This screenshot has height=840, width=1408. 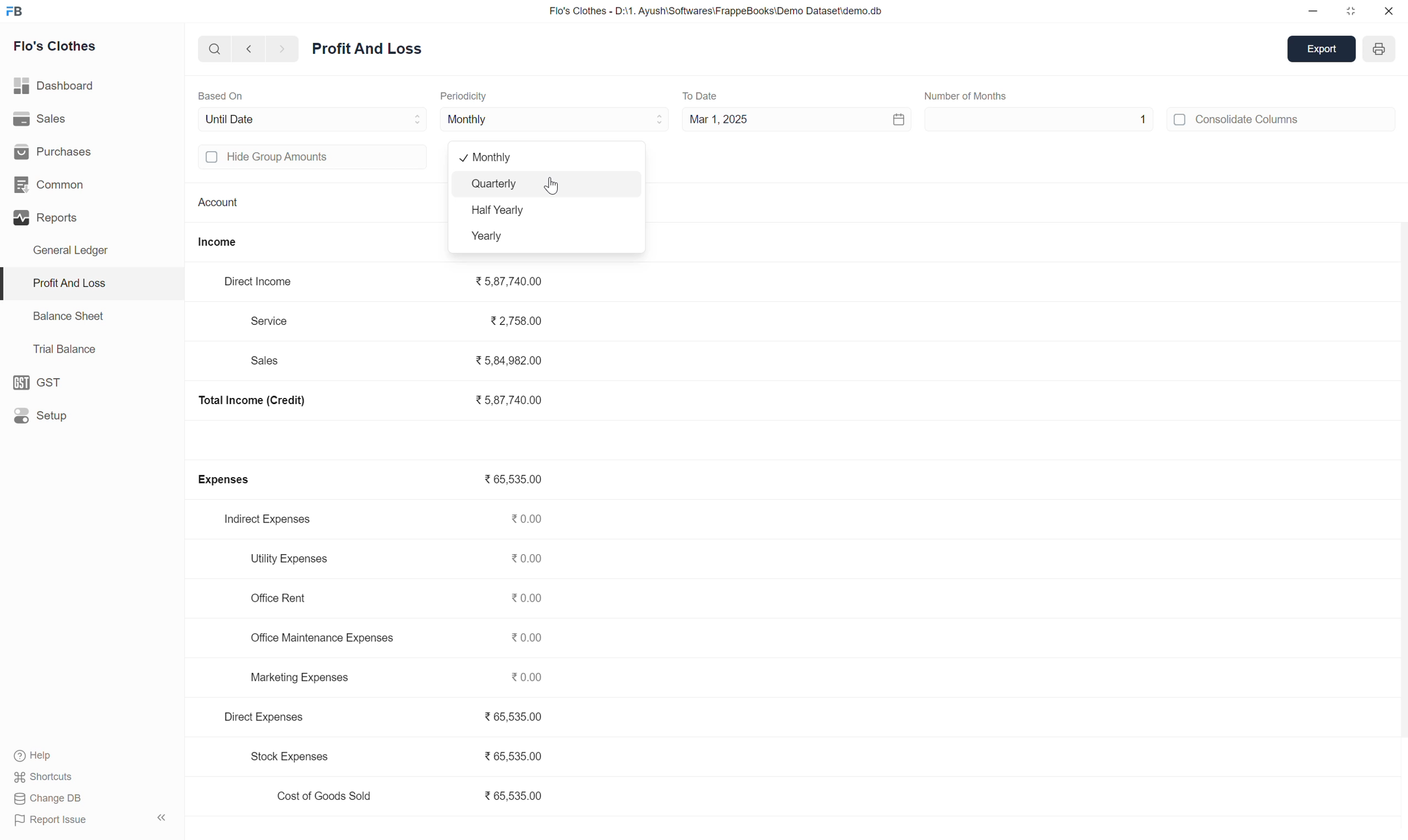 What do you see at coordinates (510, 481) in the screenshot?
I see `₹65,535.00` at bounding box center [510, 481].